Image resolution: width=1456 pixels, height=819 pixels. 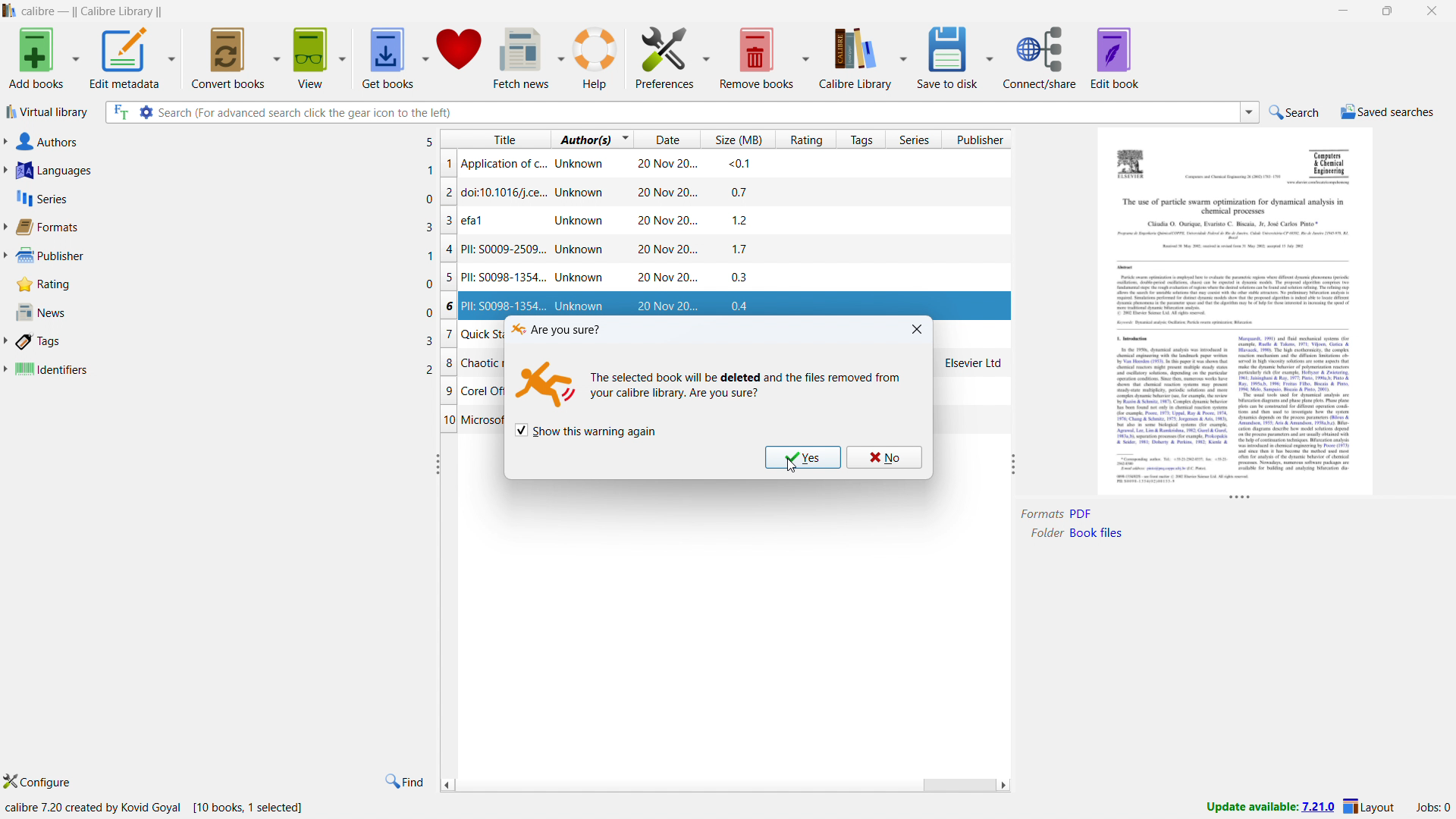 What do you see at coordinates (730, 278) in the screenshot?
I see `PII: S0098-1354...` at bounding box center [730, 278].